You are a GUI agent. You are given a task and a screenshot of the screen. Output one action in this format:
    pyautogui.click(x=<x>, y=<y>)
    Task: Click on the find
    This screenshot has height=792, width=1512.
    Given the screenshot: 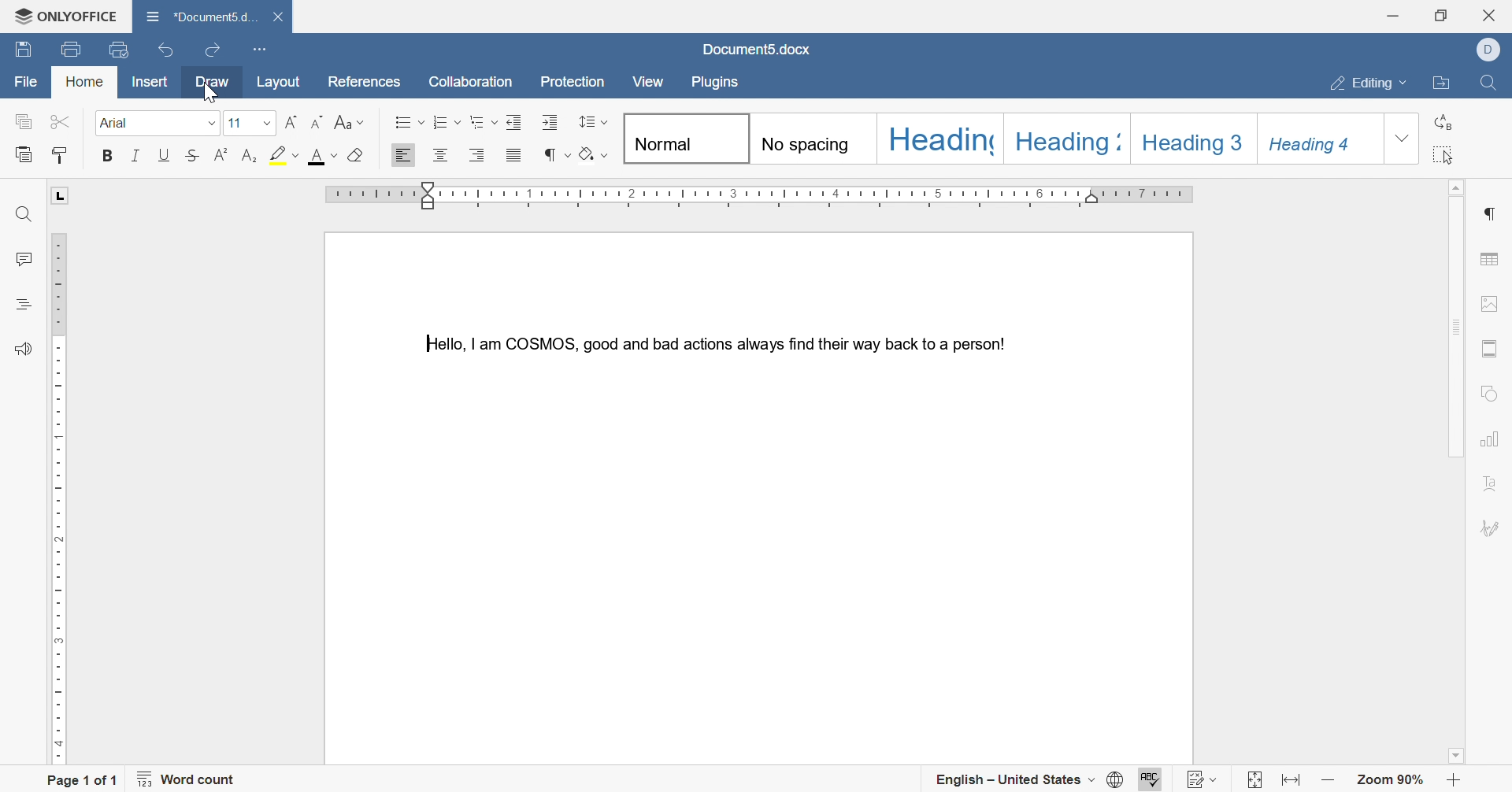 What is the action you would take?
    pyautogui.click(x=1486, y=87)
    